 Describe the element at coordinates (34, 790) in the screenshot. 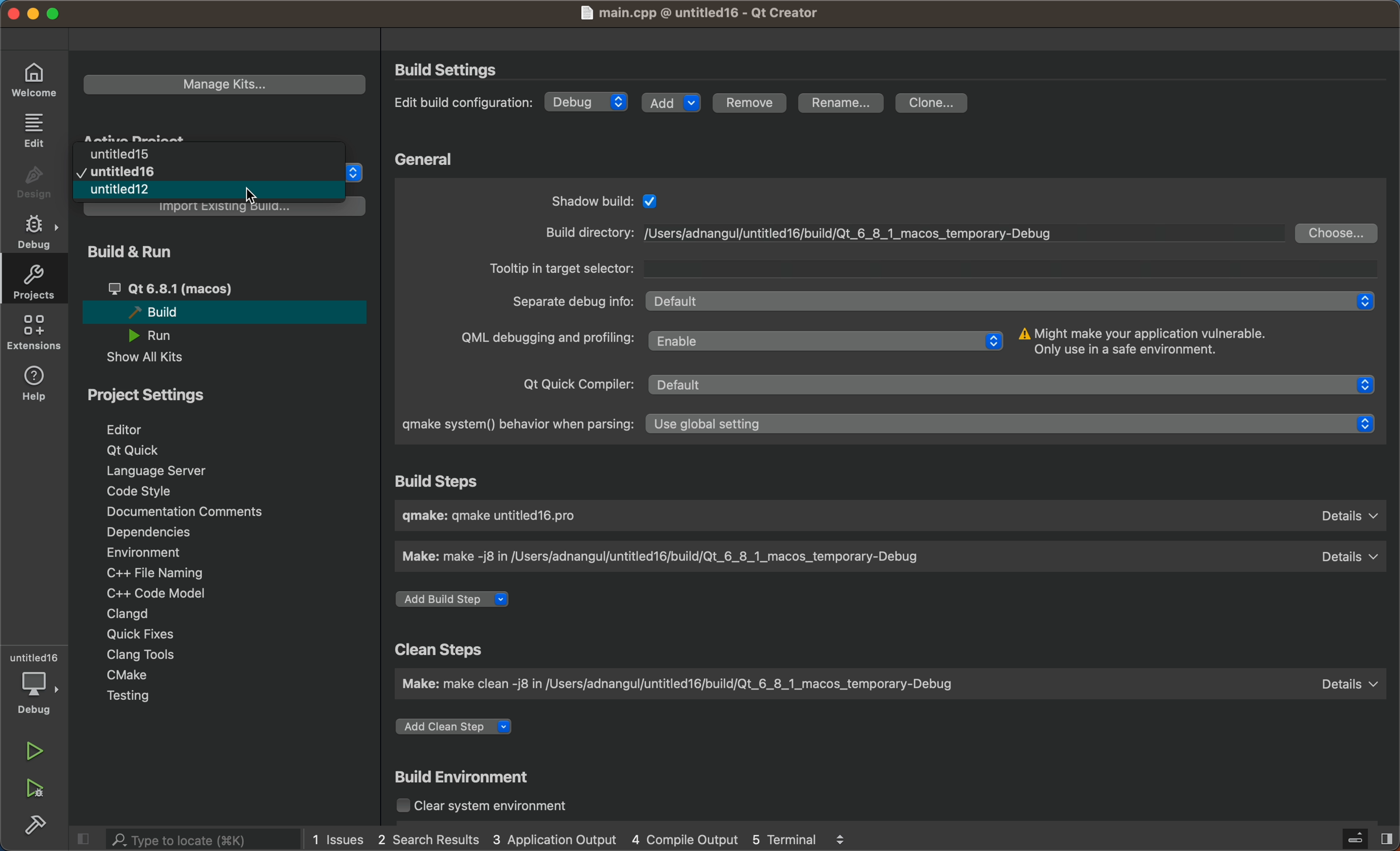

I see `run and debug` at that location.